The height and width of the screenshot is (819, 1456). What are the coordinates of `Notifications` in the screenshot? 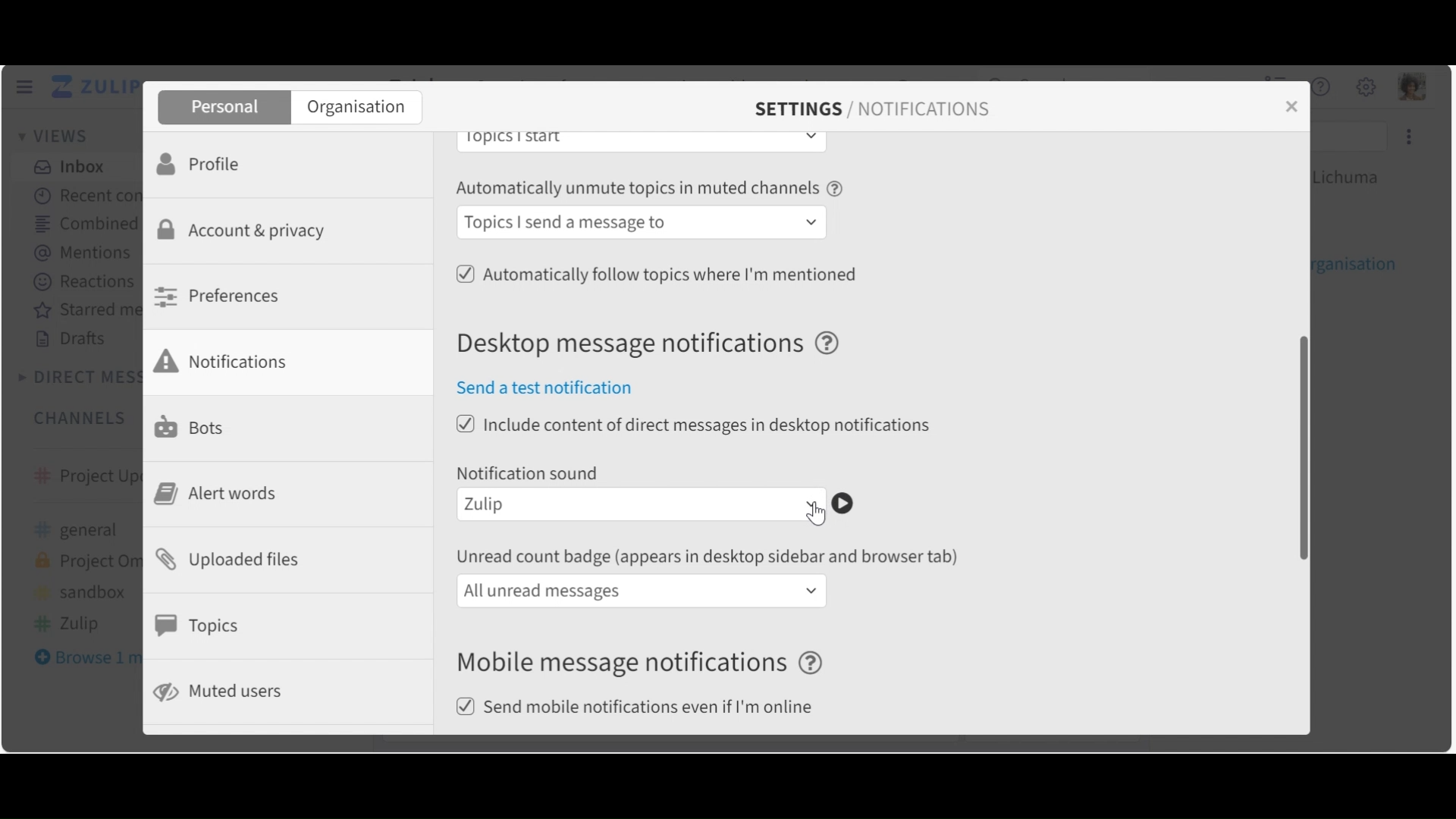 It's located at (231, 361).